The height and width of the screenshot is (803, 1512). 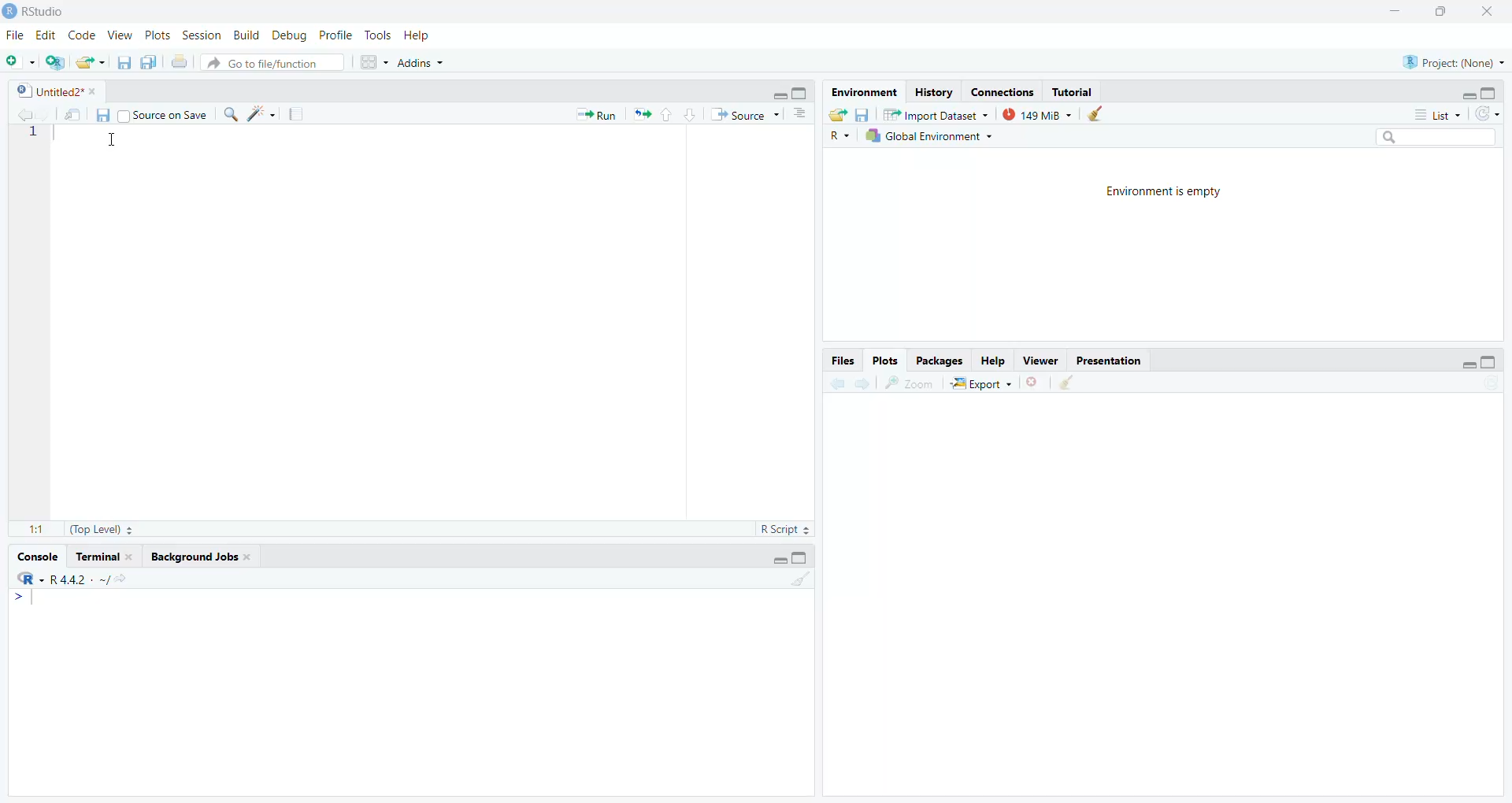 What do you see at coordinates (643, 112) in the screenshot?
I see `Re-run the previous code region (Ctrl + Alt + P)` at bounding box center [643, 112].